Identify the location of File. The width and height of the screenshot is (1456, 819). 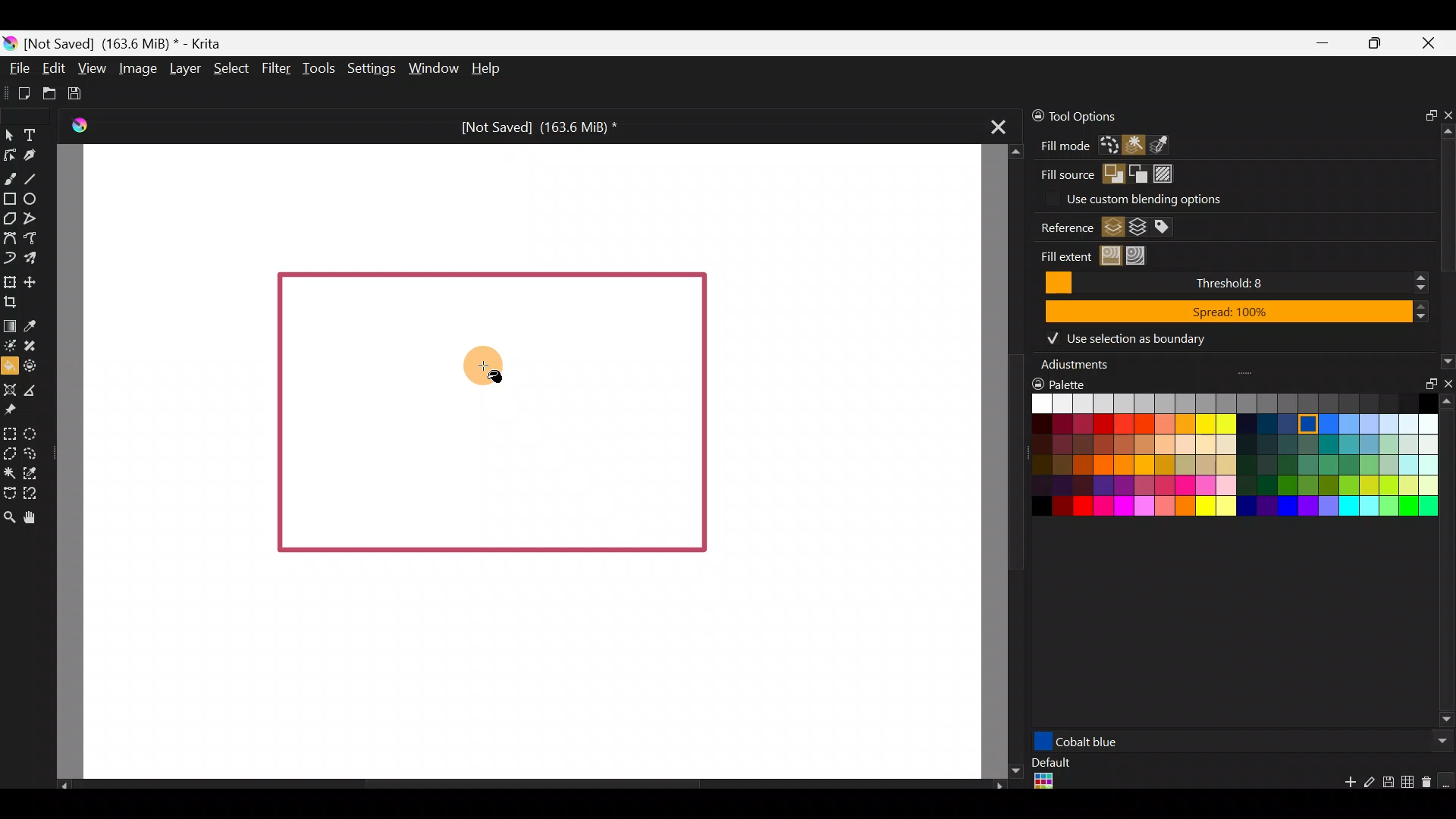
(20, 67).